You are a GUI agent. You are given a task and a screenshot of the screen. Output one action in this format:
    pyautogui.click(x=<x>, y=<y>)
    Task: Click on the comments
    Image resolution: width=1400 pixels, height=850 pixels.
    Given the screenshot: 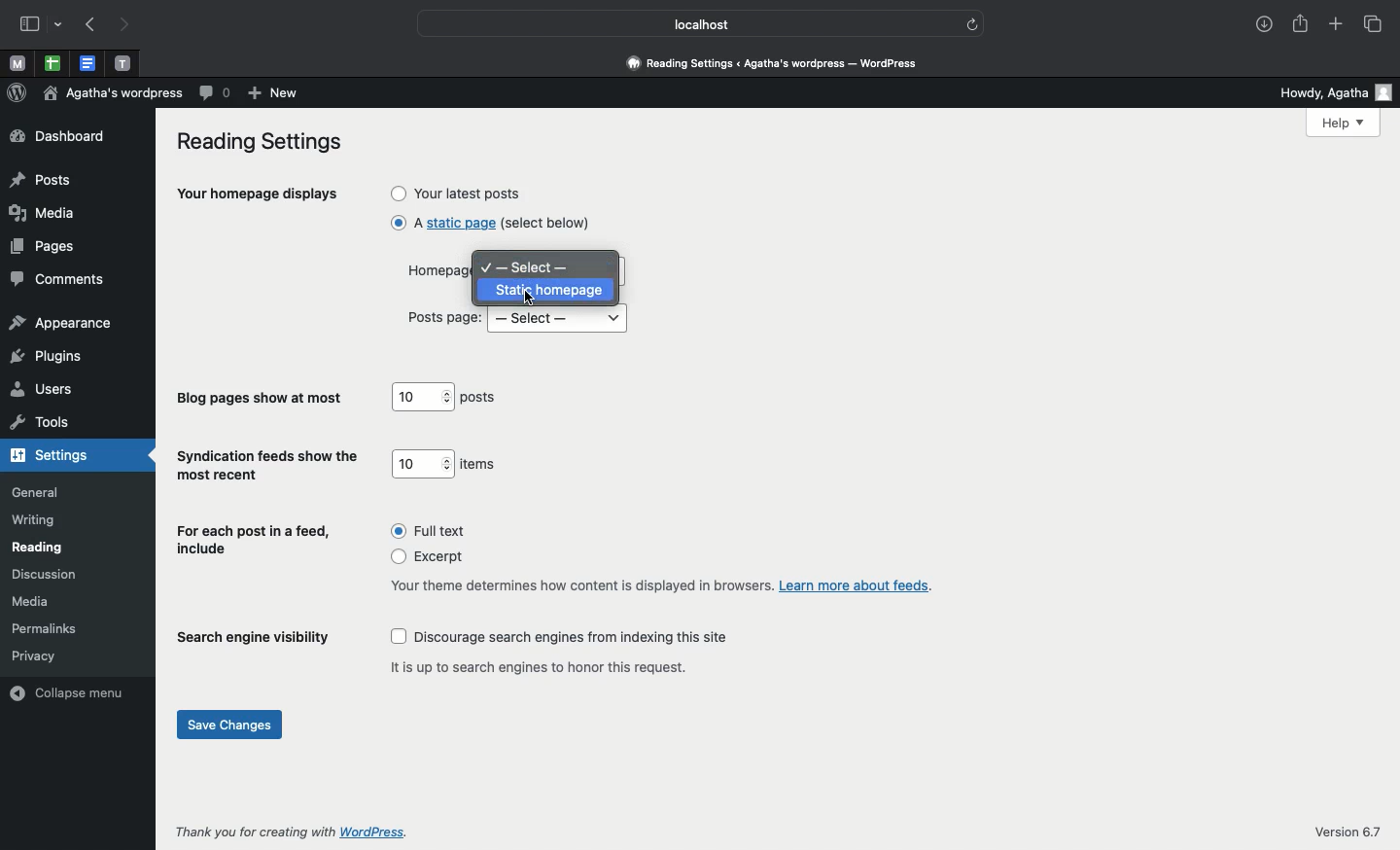 What is the action you would take?
    pyautogui.click(x=57, y=280)
    